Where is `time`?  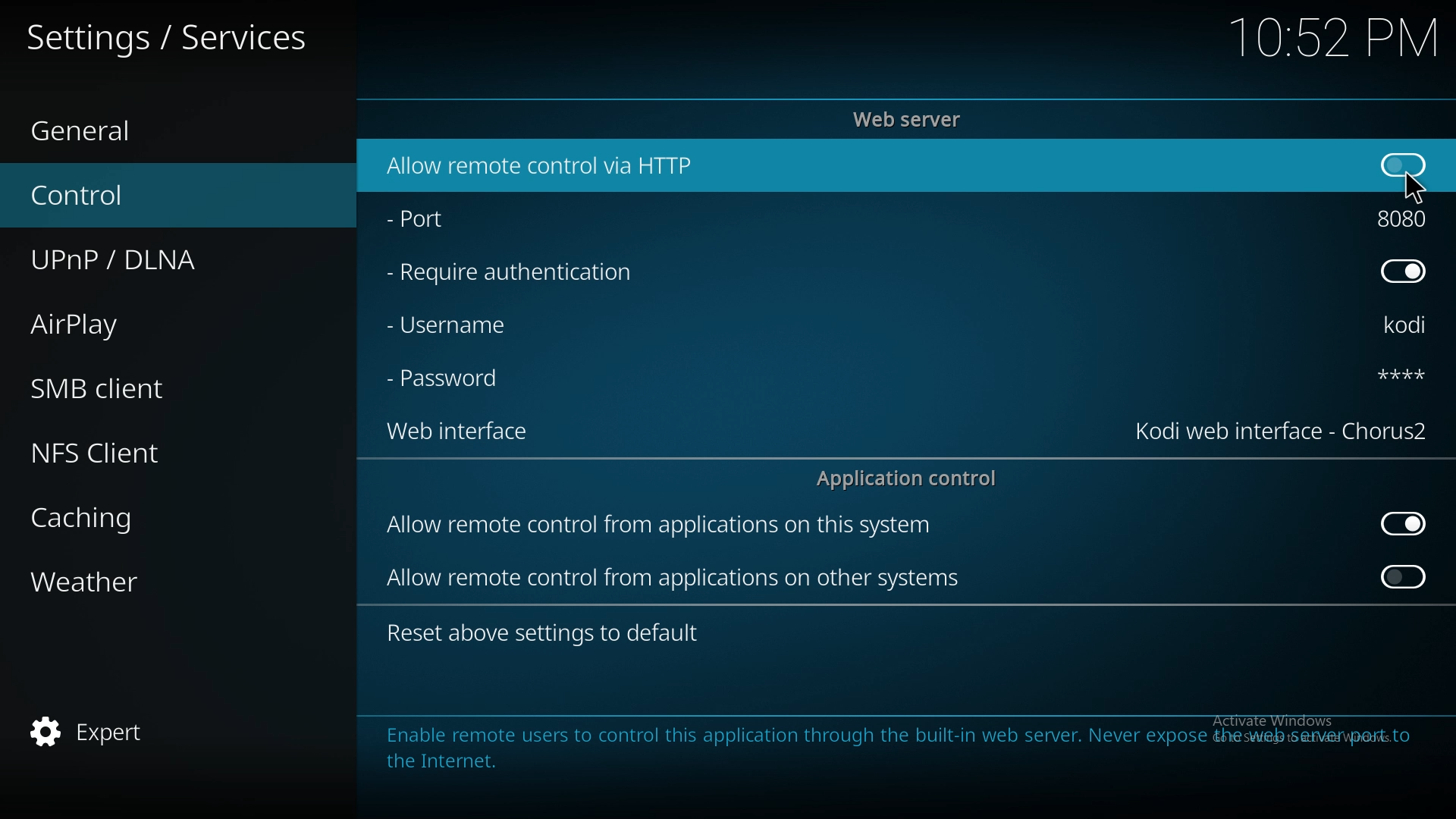
time is located at coordinates (1333, 36).